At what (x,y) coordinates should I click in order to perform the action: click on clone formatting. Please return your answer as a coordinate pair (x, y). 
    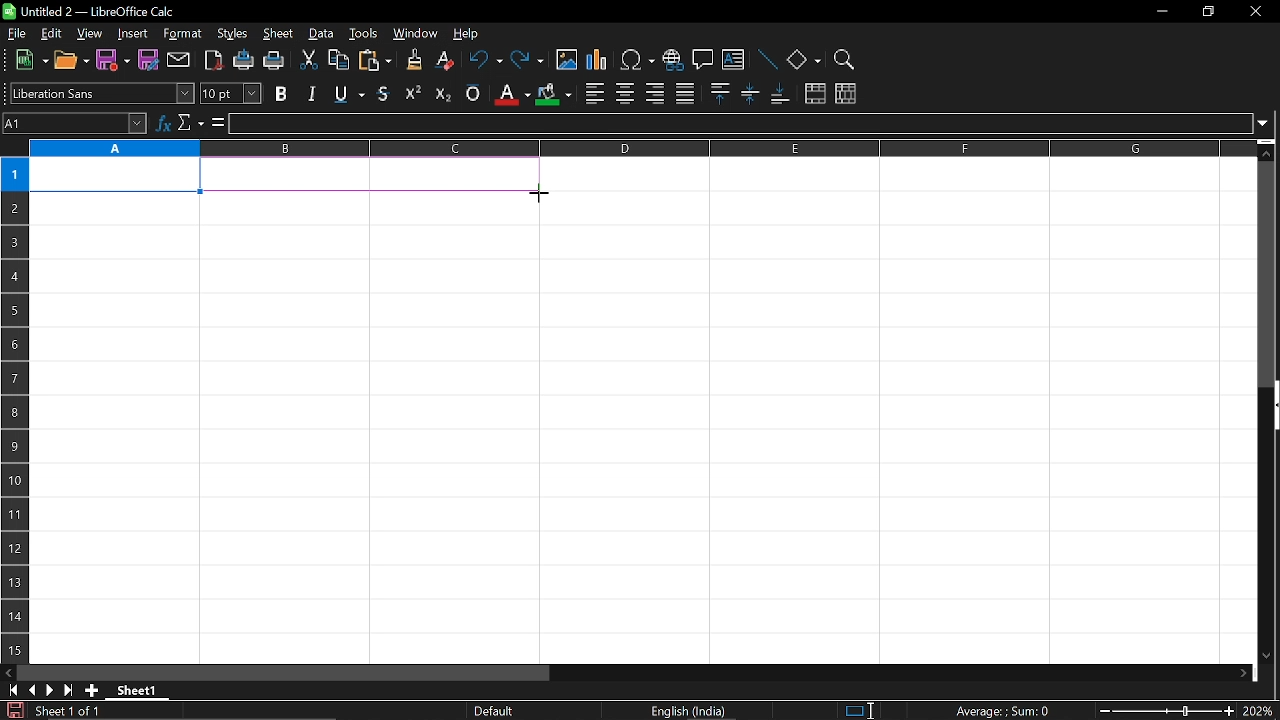
    Looking at the image, I should click on (409, 60).